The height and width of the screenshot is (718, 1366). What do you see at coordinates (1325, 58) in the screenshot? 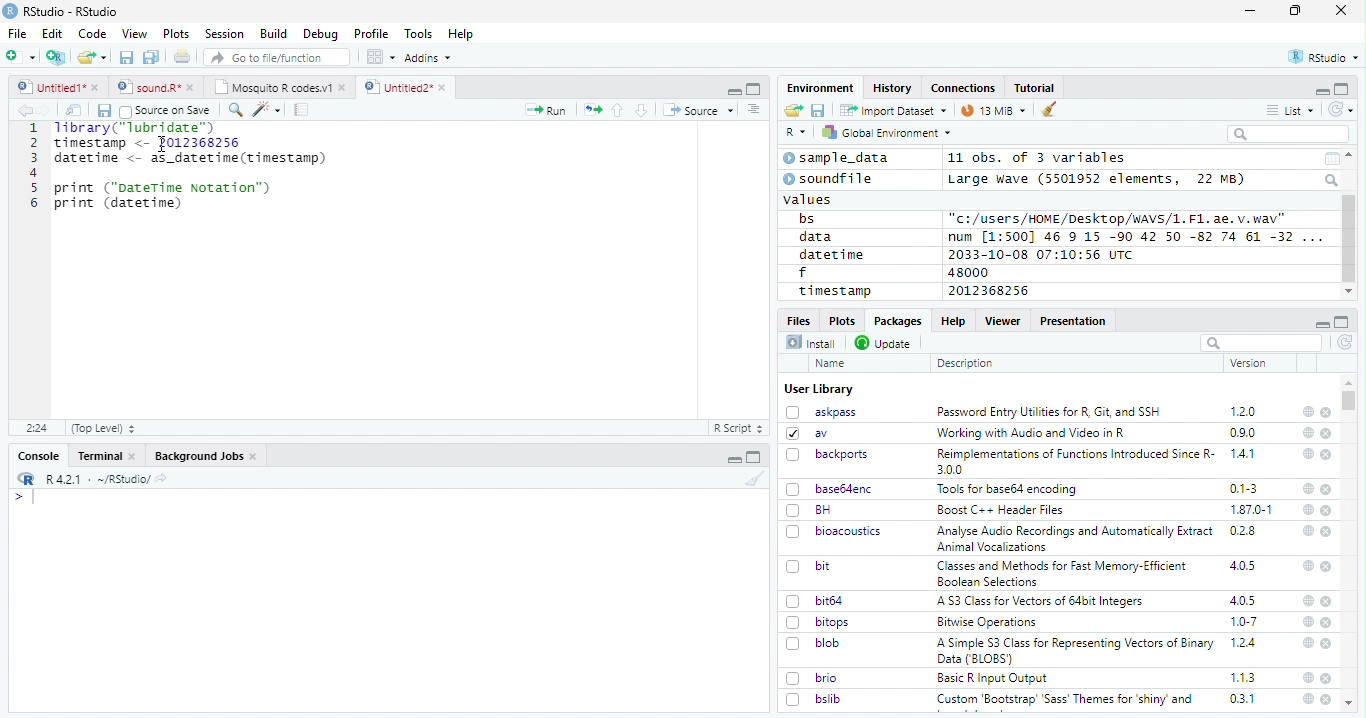
I see `RStudio` at bounding box center [1325, 58].